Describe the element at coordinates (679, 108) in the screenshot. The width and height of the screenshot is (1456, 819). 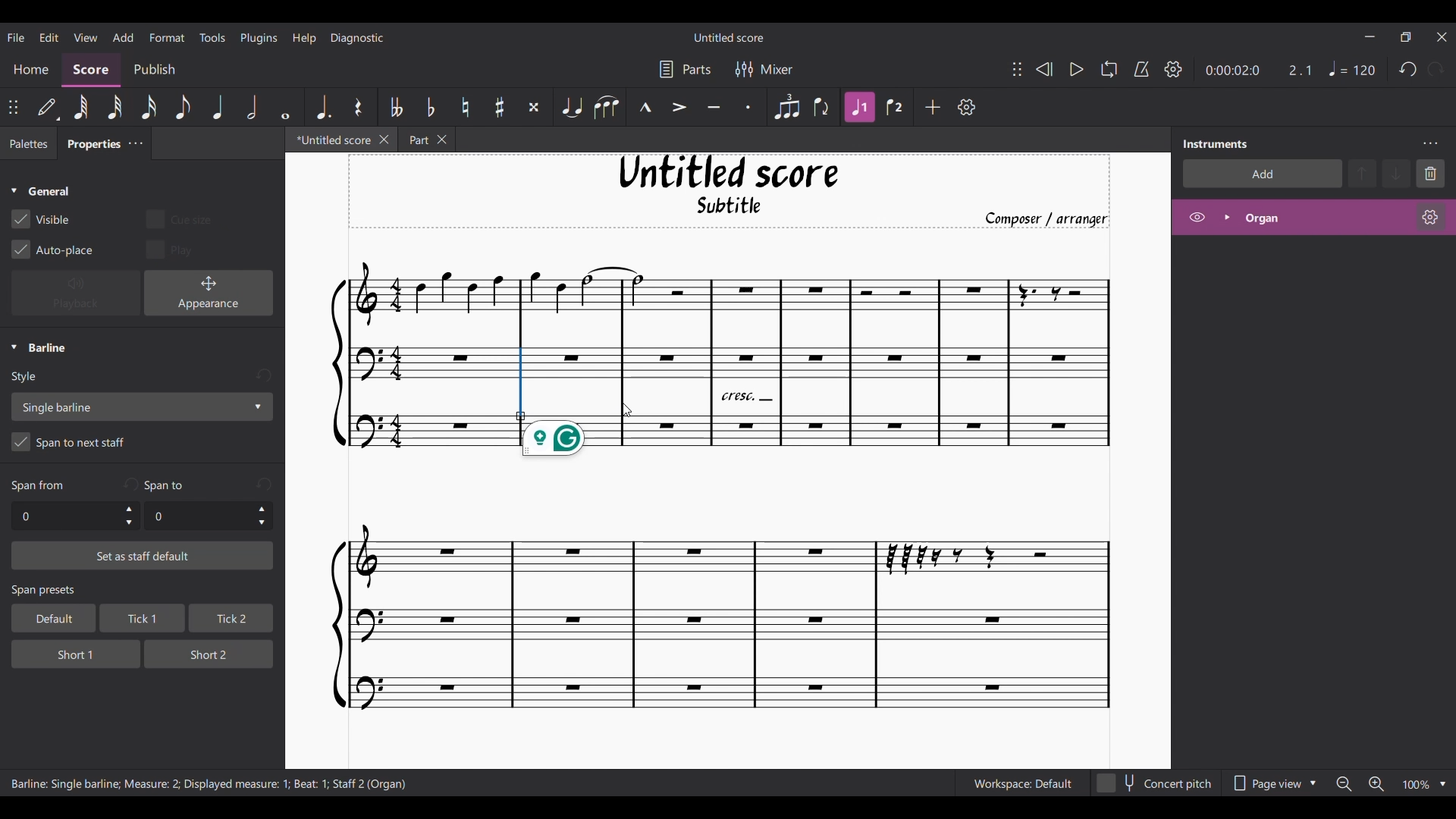
I see `Accent` at that location.